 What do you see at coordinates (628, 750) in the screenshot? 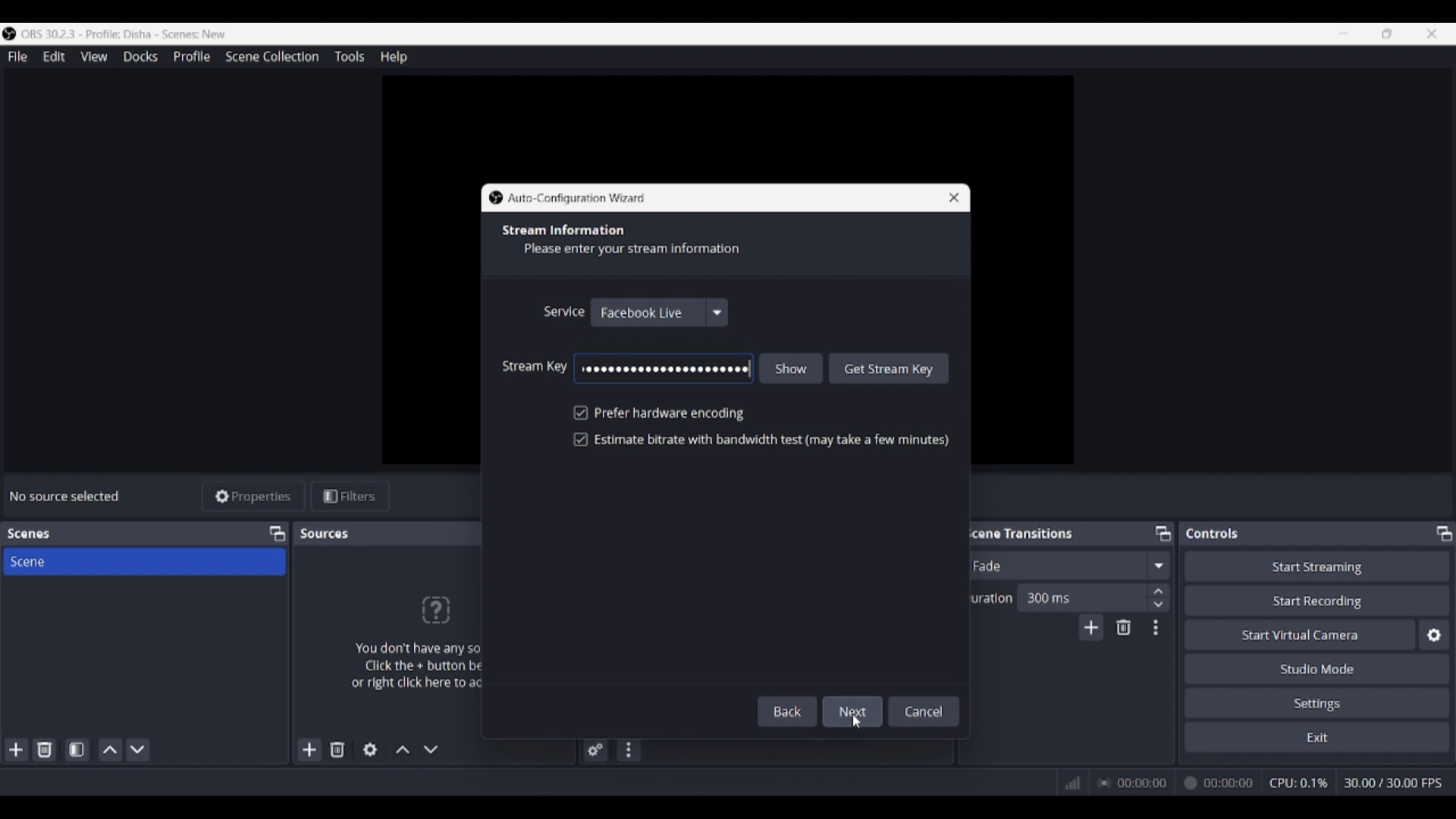
I see `Audio mixer menu` at bounding box center [628, 750].